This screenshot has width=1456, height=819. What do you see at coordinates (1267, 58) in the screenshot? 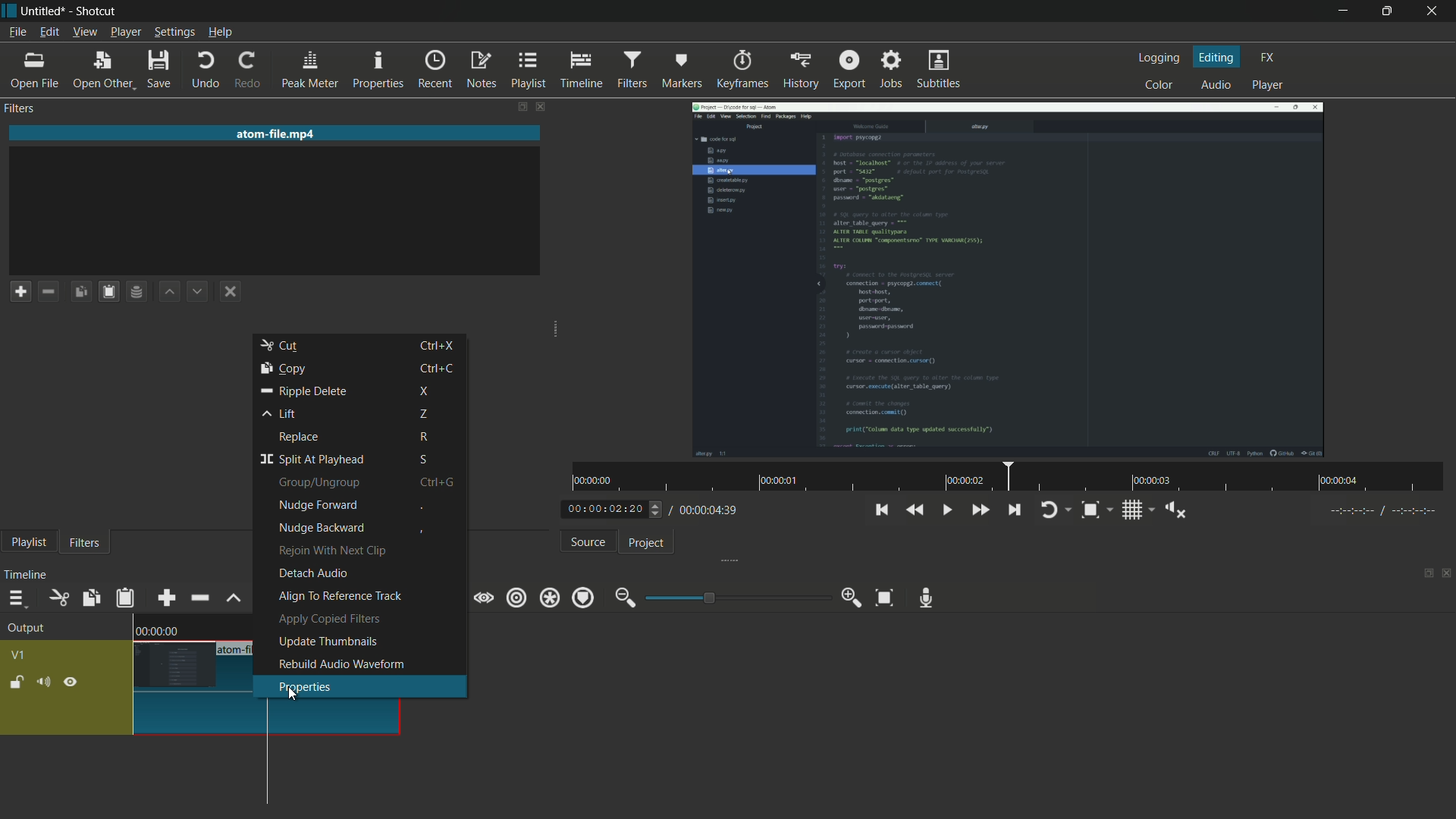
I see `fx` at bounding box center [1267, 58].